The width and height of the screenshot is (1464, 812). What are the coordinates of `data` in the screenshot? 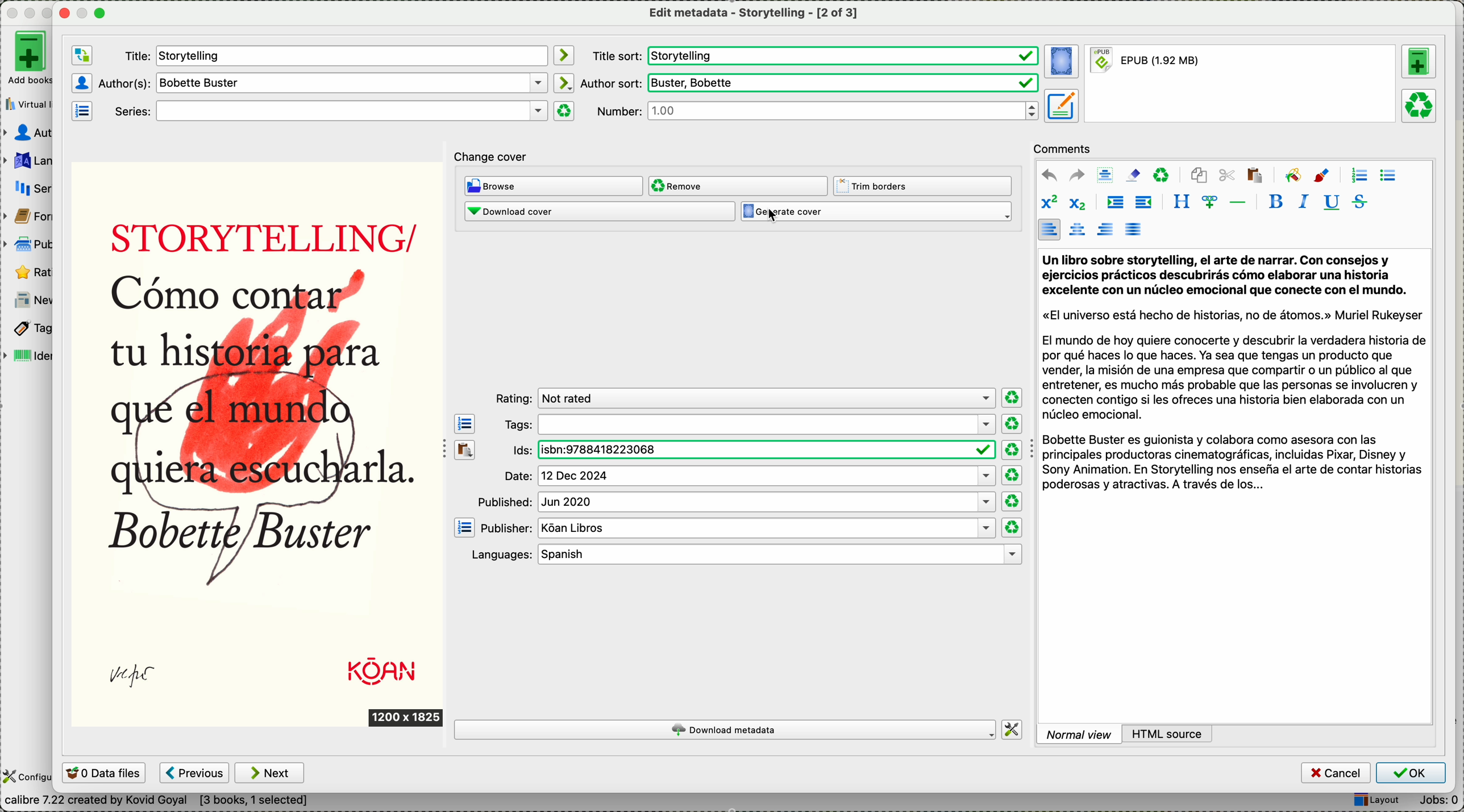 It's located at (131, 801).